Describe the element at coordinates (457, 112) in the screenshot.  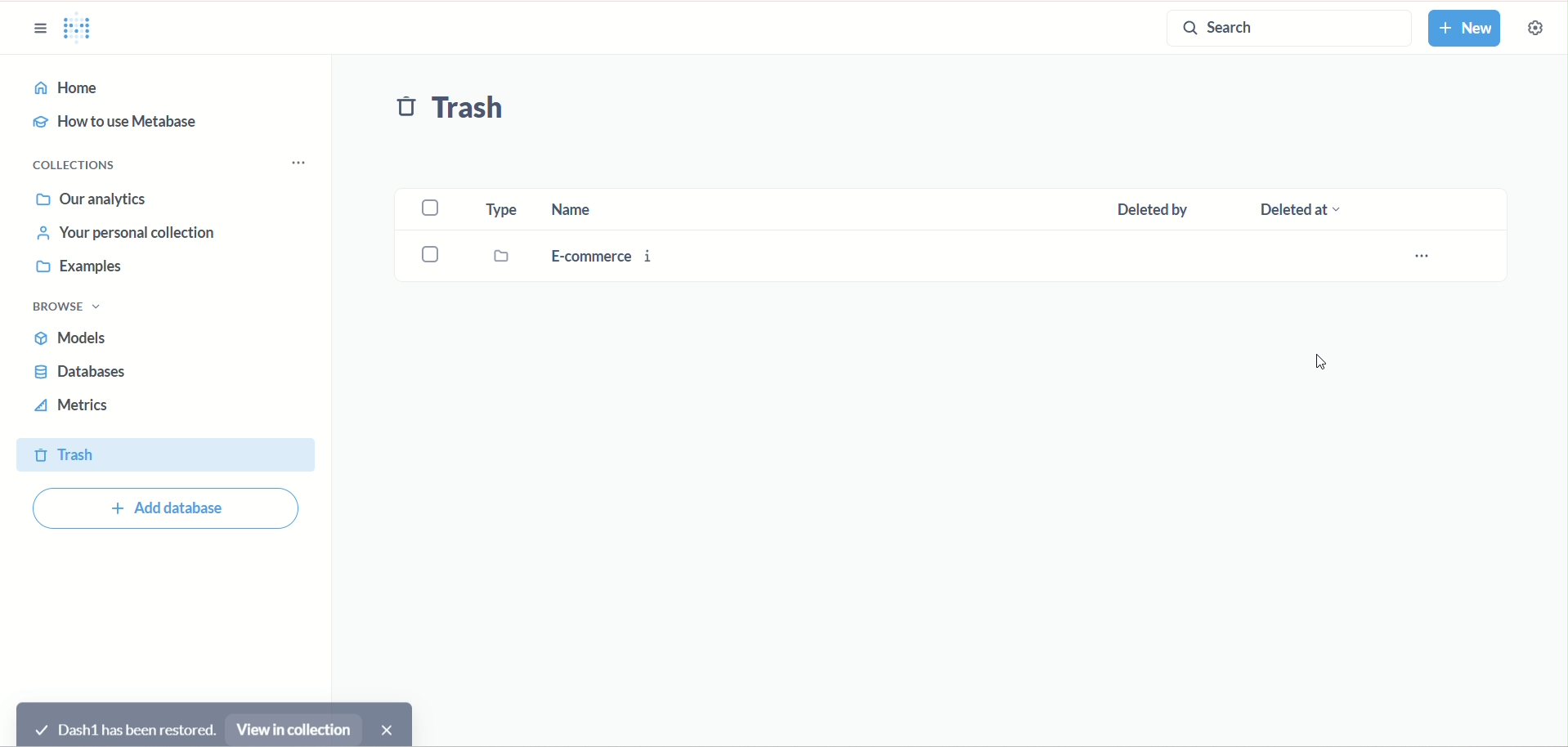
I see `trash` at that location.